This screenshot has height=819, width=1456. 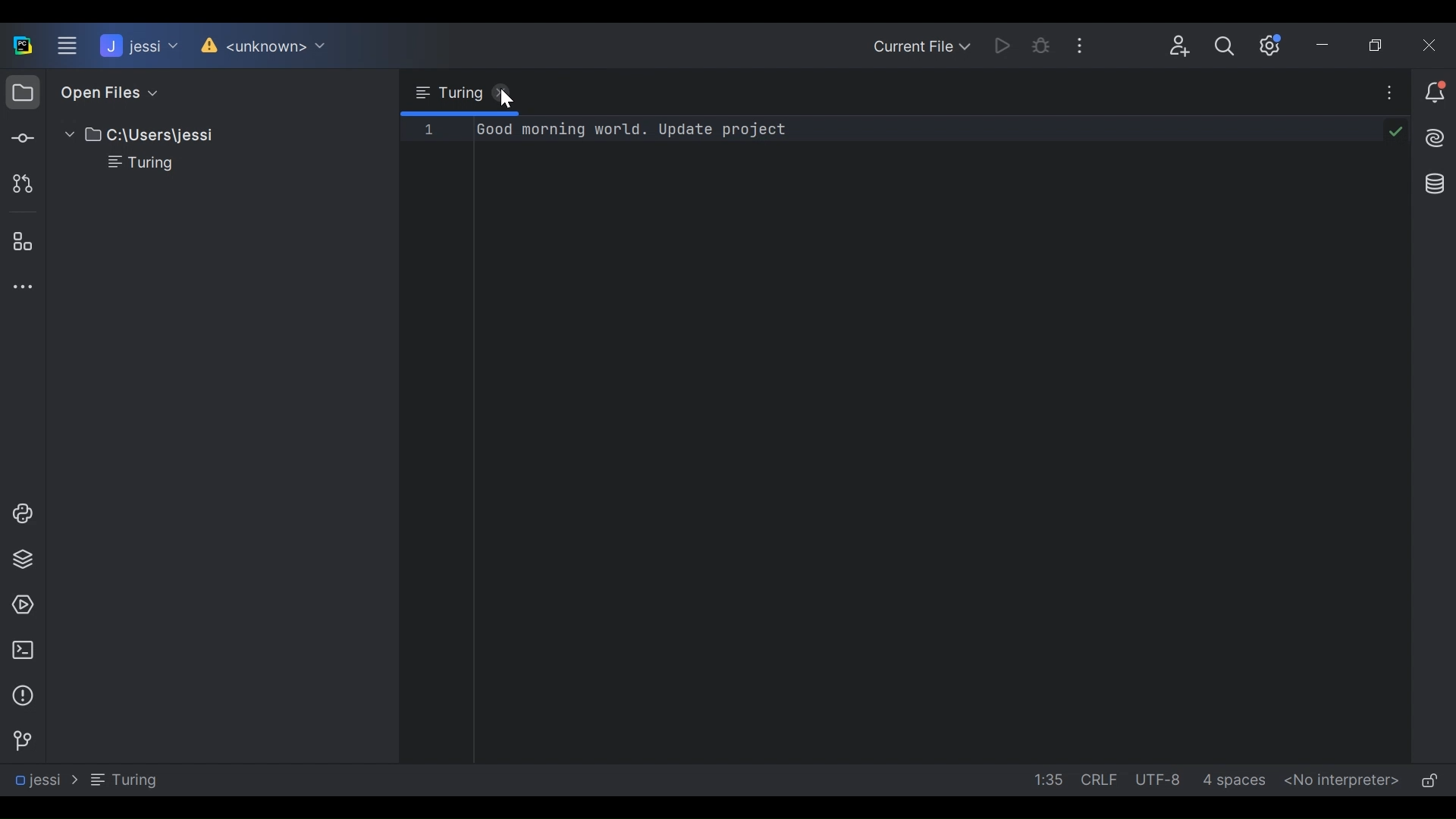 What do you see at coordinates (1084, 42) in the screenshot?
I see `More Options` at bounding box center [1084, 42].